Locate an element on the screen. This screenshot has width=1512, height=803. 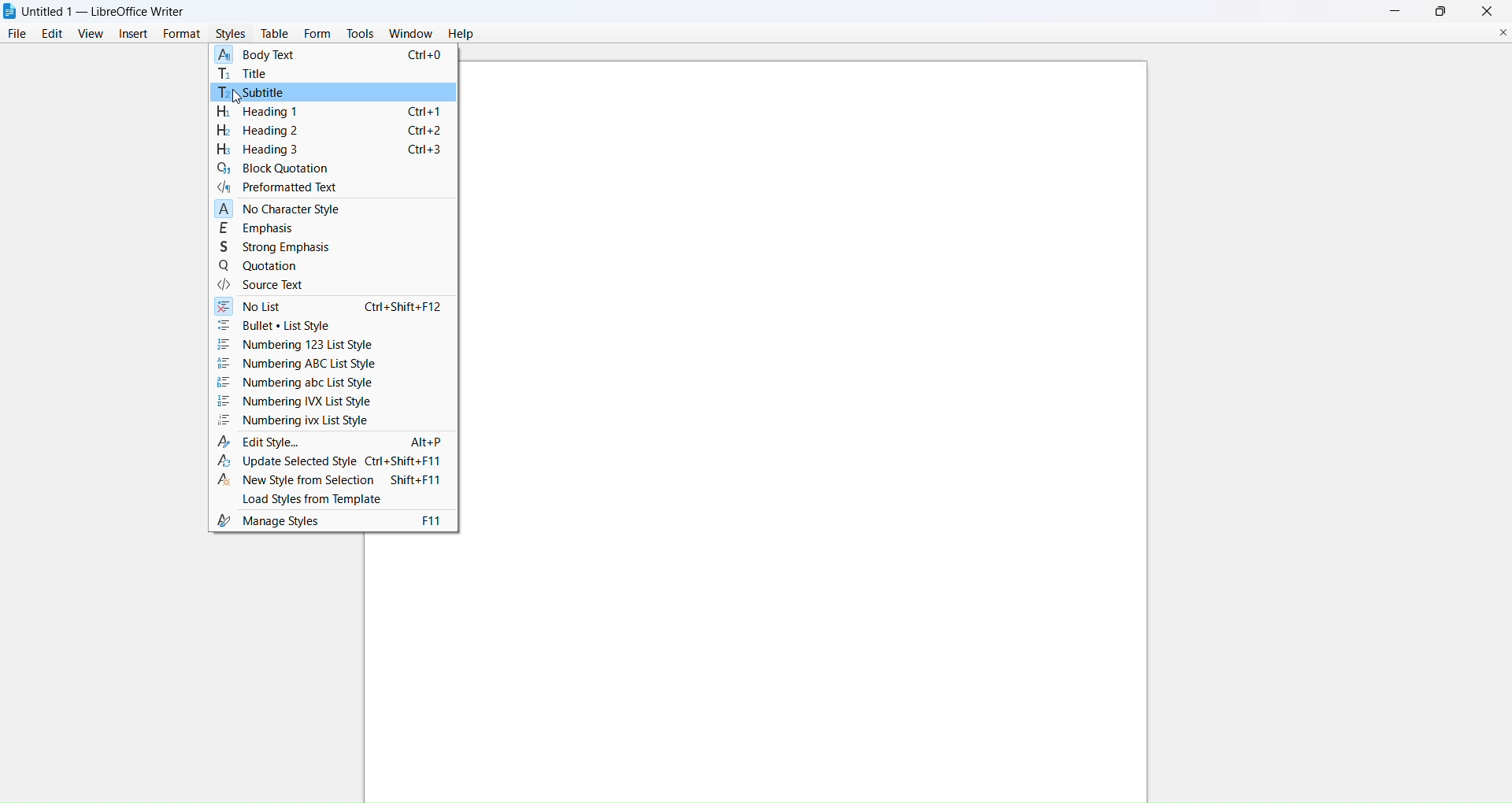
window is located at coordinates (412, 34).